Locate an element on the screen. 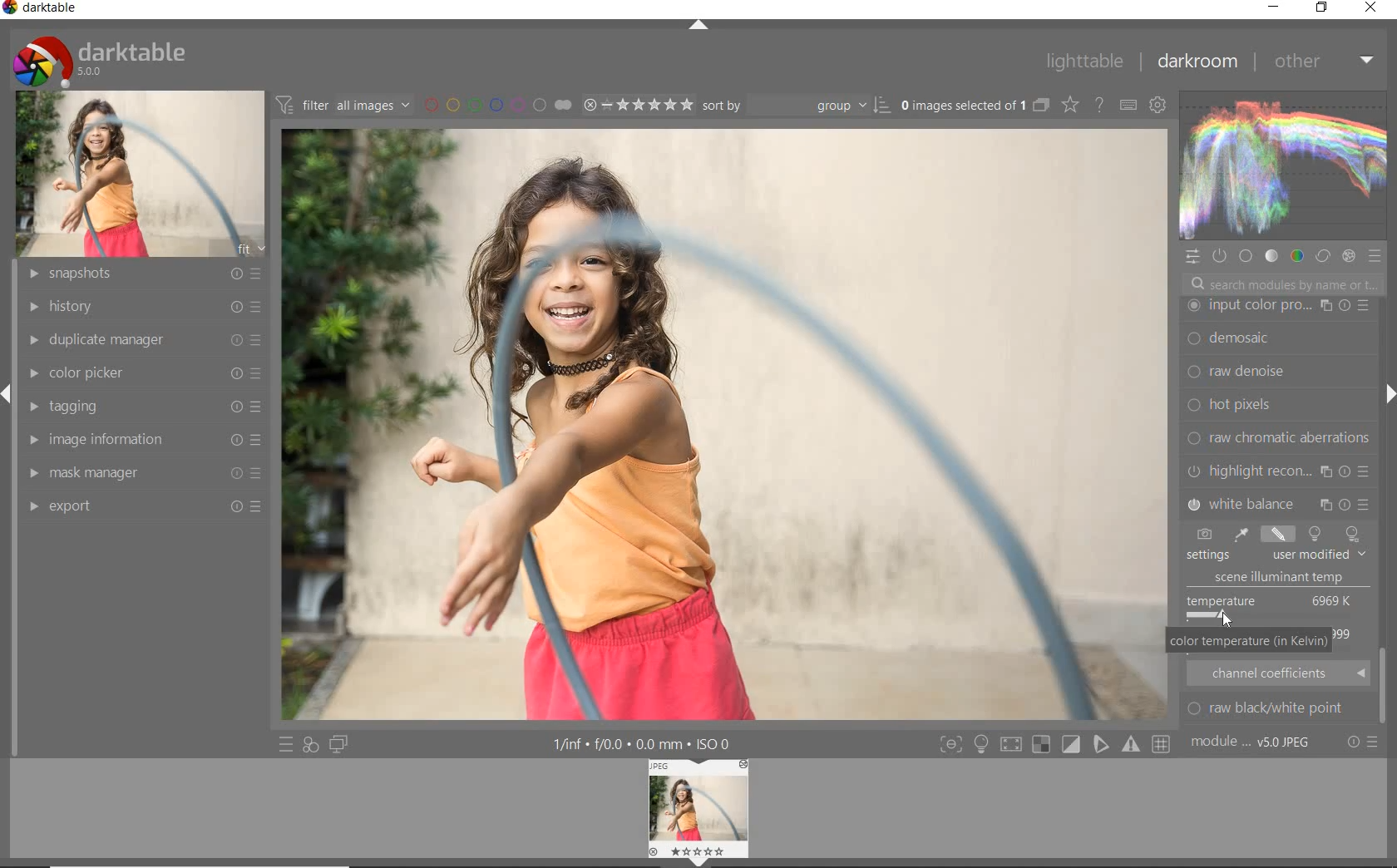  correct is located at coordinates (1322, 254).